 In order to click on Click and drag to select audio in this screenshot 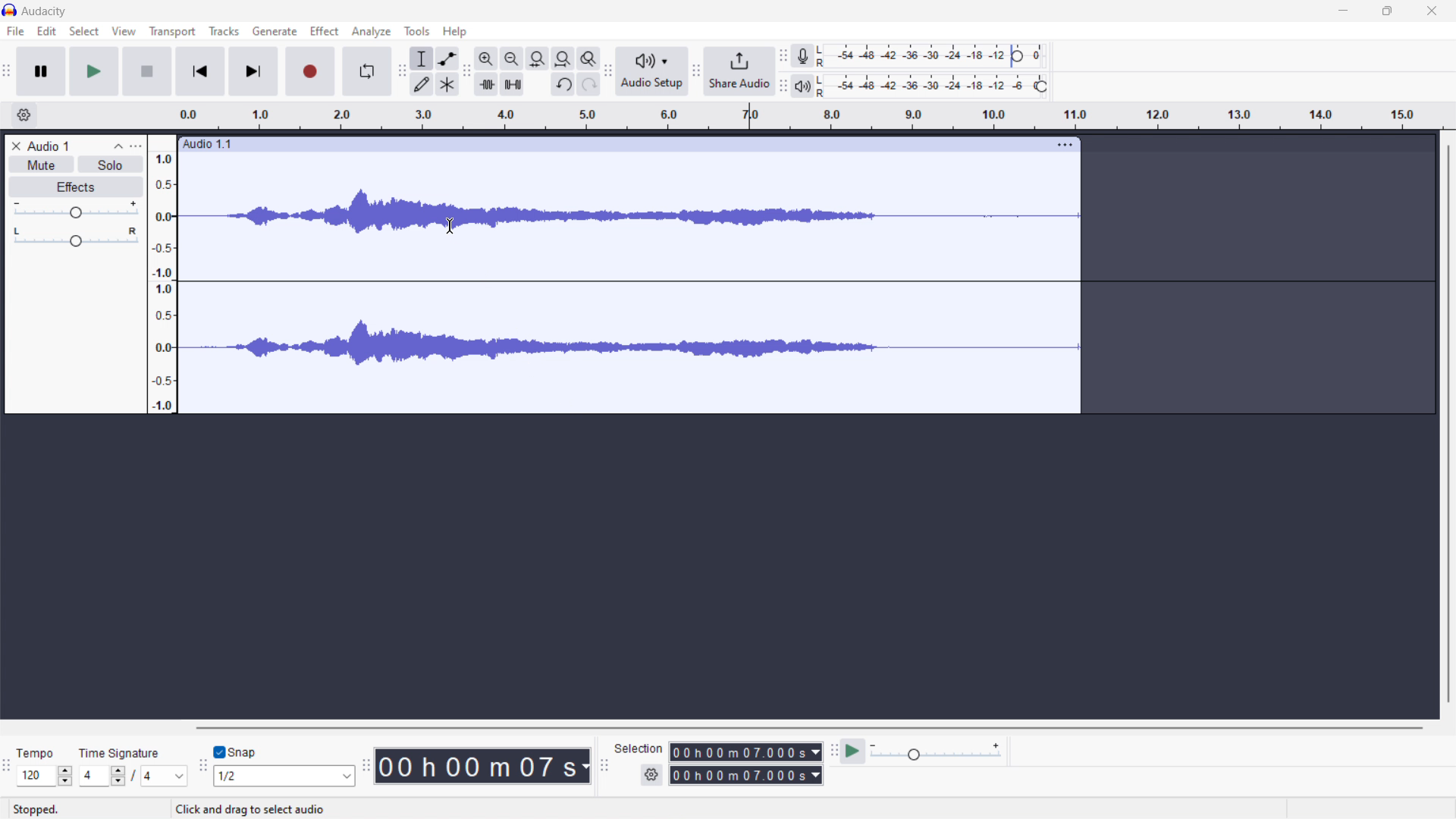, I will do `click(253, 811)`.